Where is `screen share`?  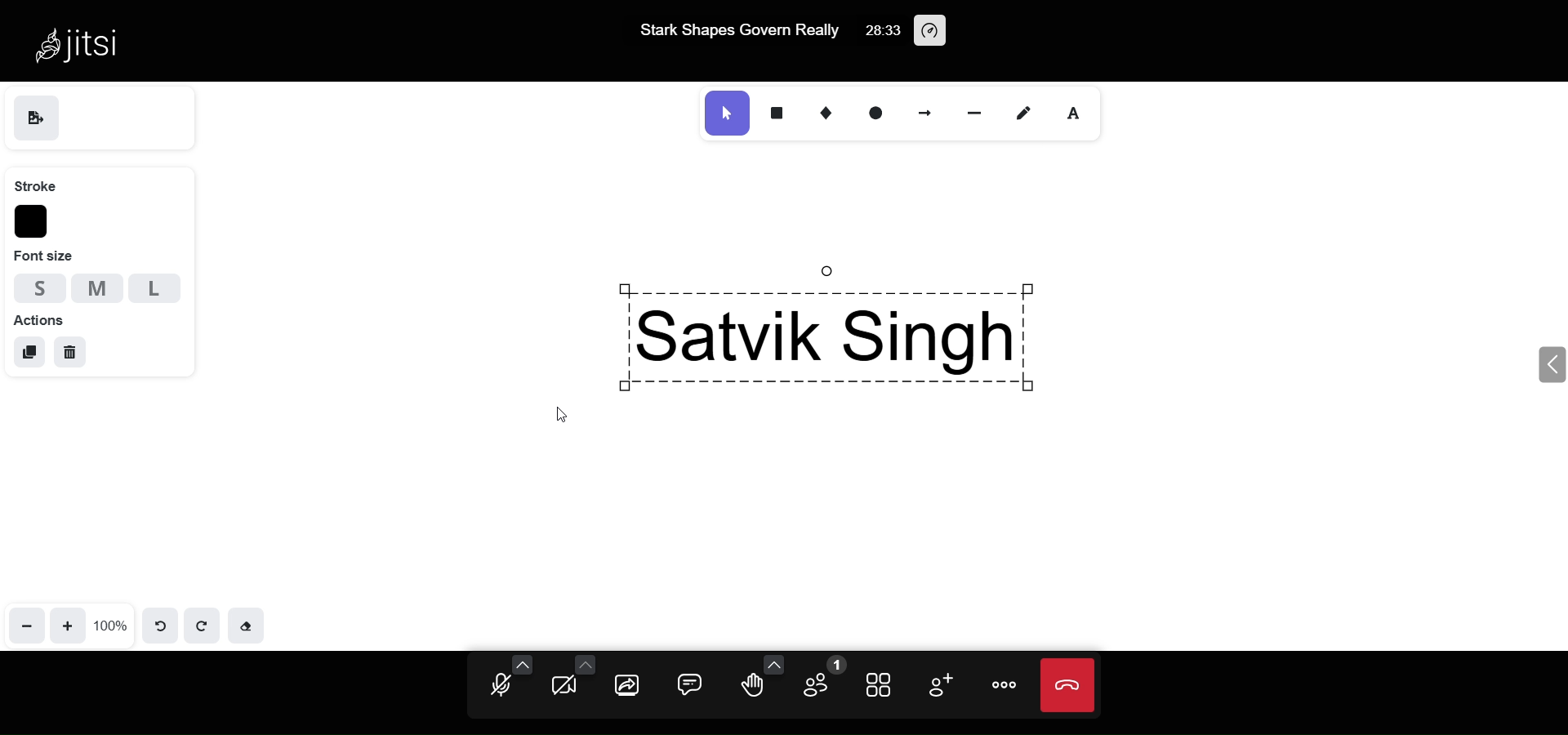
screen share is located at coordinates (629, 687).